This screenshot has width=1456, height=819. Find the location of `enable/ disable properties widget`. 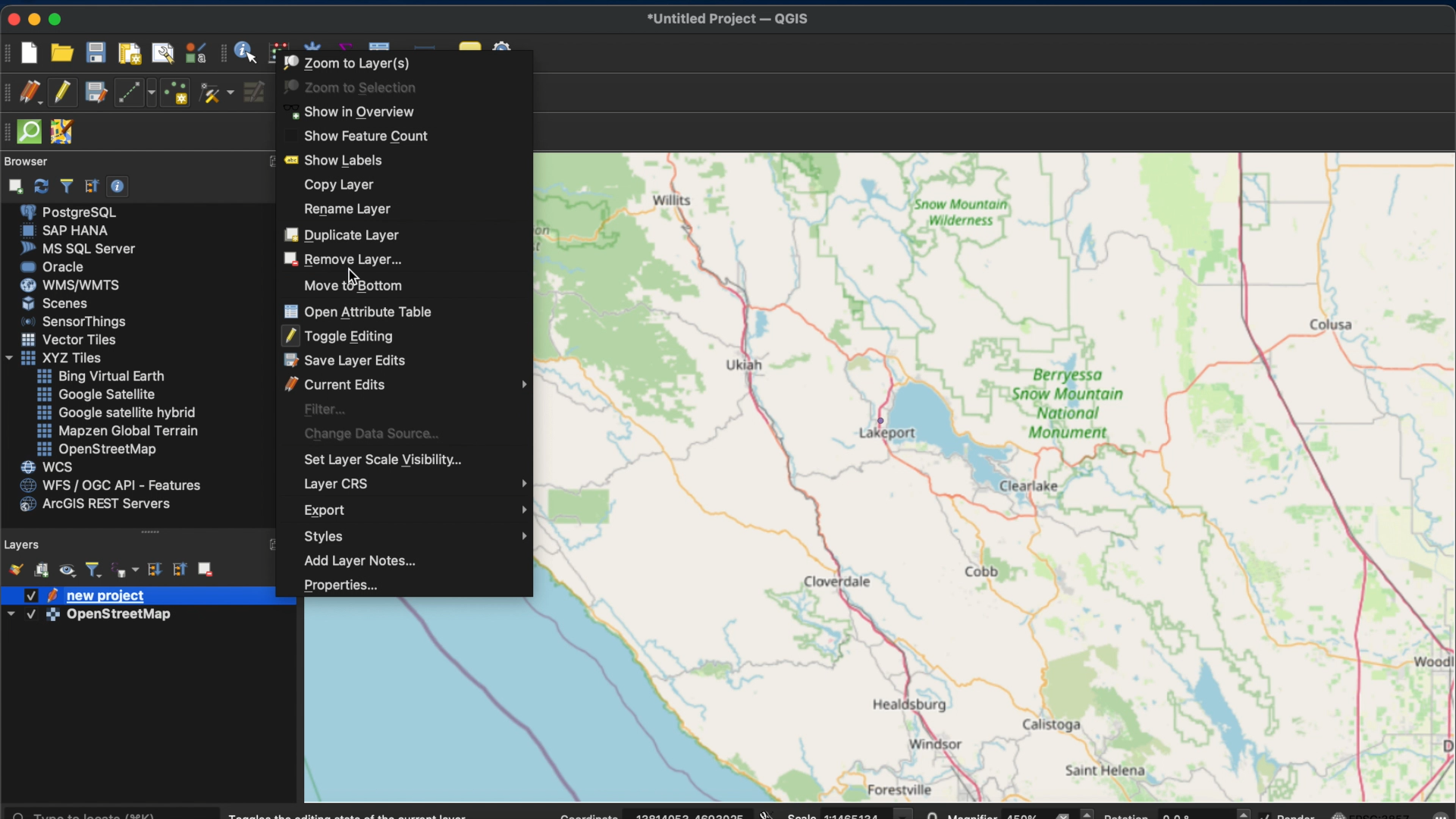

enable/ disable properties widget is located at coordinates (118, 186).